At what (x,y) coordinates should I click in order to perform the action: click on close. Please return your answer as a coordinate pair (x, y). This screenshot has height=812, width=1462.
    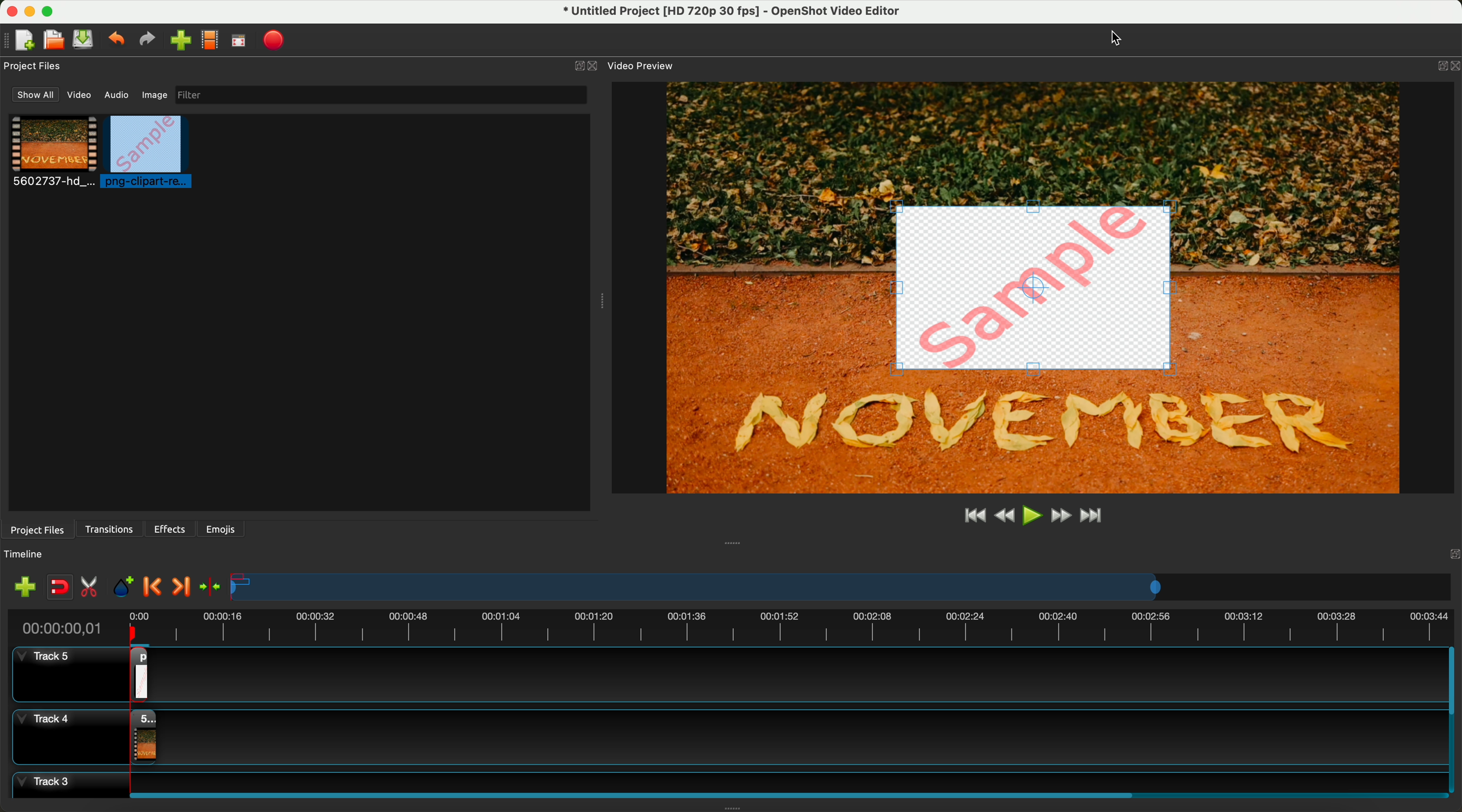
    Looking at the image, I should click on (586, 66).